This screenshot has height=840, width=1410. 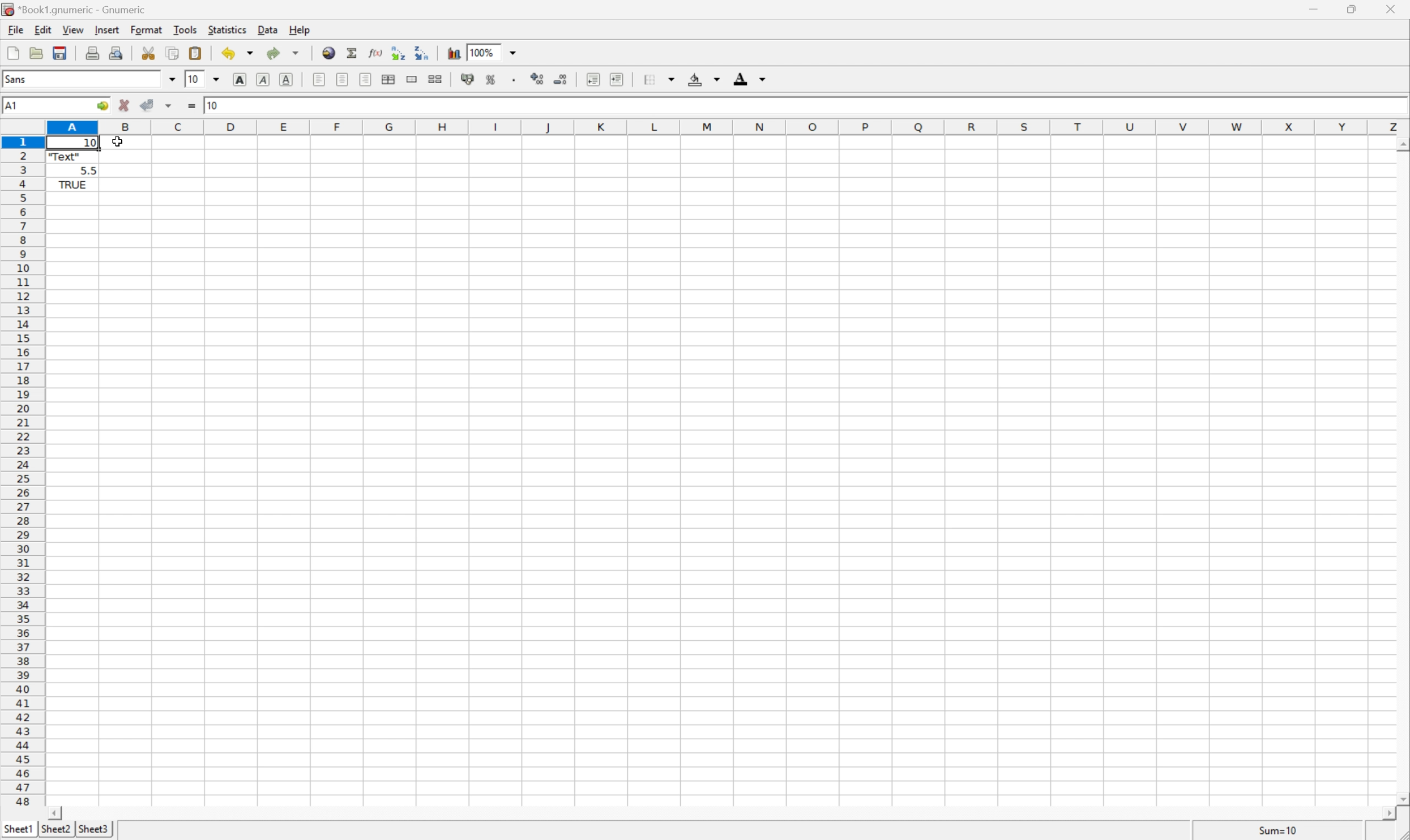 I want to click on Sort the selected region in descending order based on the first column selected, so click(x=422, y=52).